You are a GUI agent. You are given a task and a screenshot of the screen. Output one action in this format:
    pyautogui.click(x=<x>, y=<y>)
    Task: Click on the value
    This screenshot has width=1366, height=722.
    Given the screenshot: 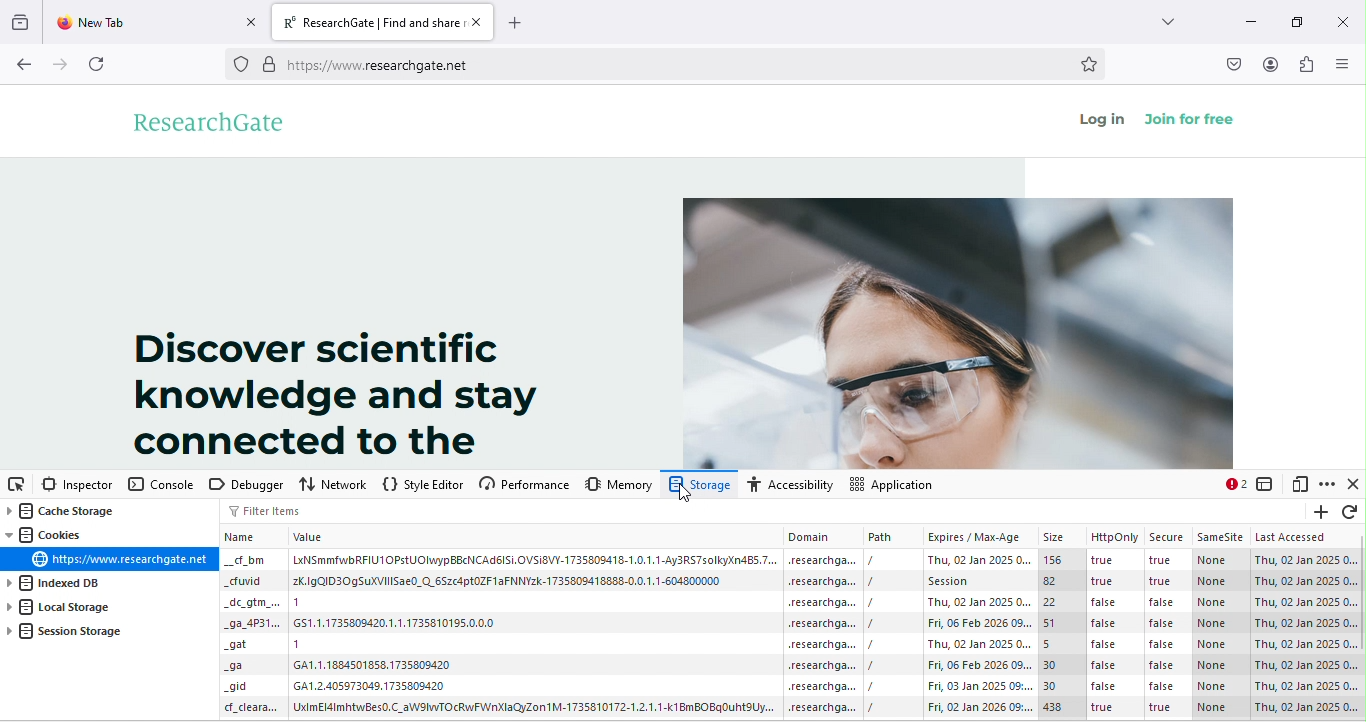 What is the action you would take?
    pyautogui.click(x=373, y=687)
    